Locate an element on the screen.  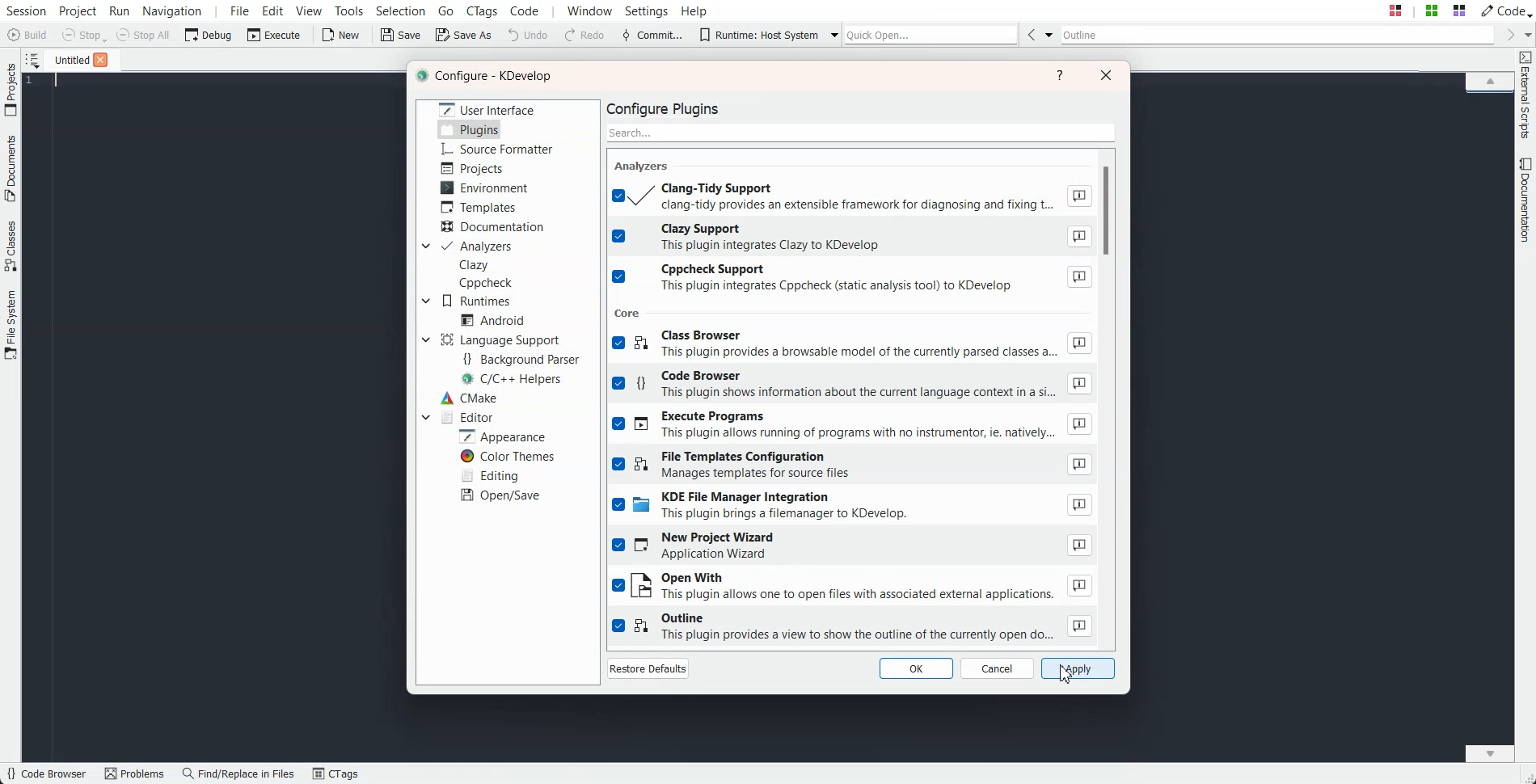
Close is located at coordinates (1106, 74).